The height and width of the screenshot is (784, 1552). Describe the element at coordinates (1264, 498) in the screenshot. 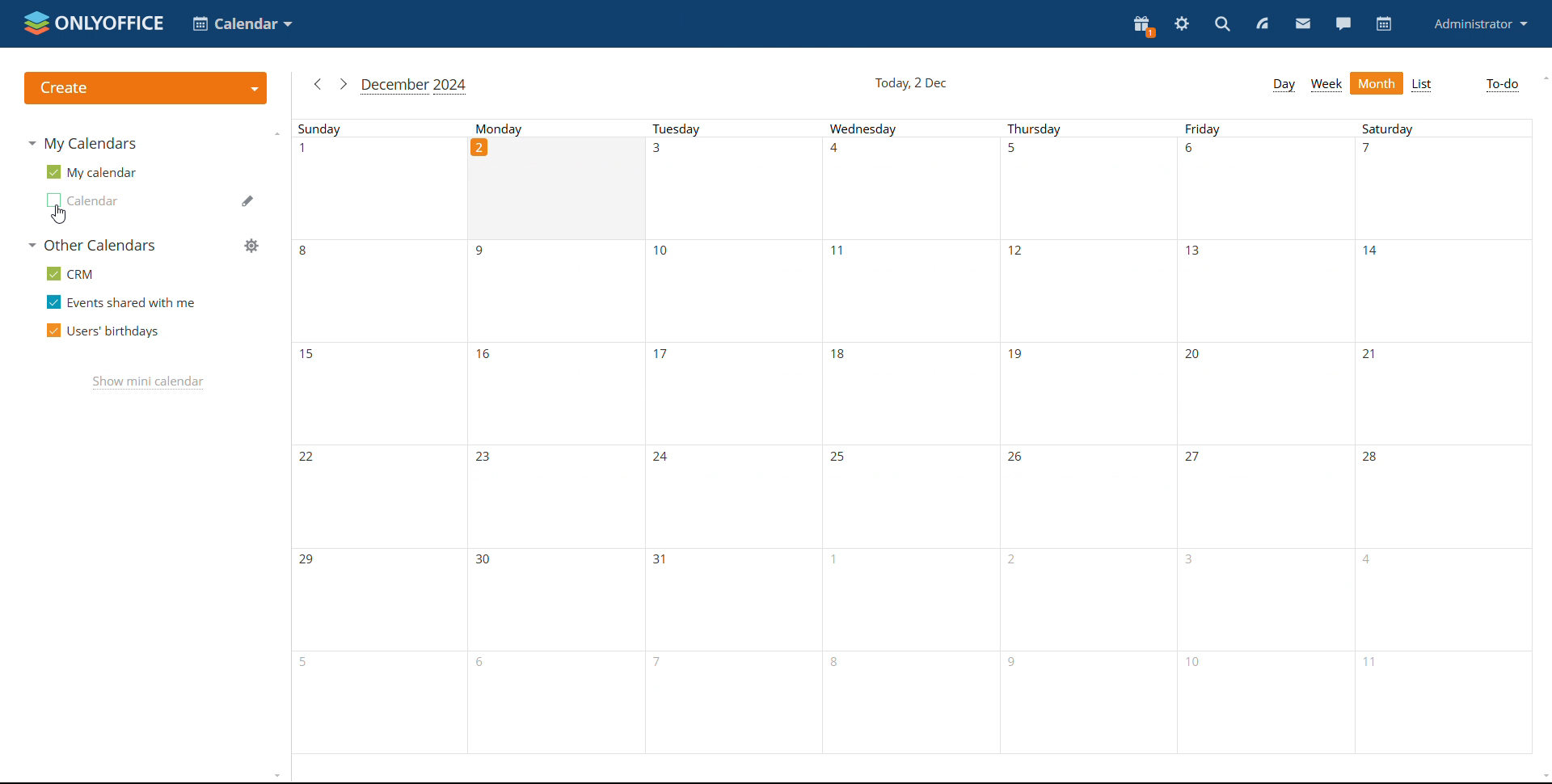

I see `27` at that location.